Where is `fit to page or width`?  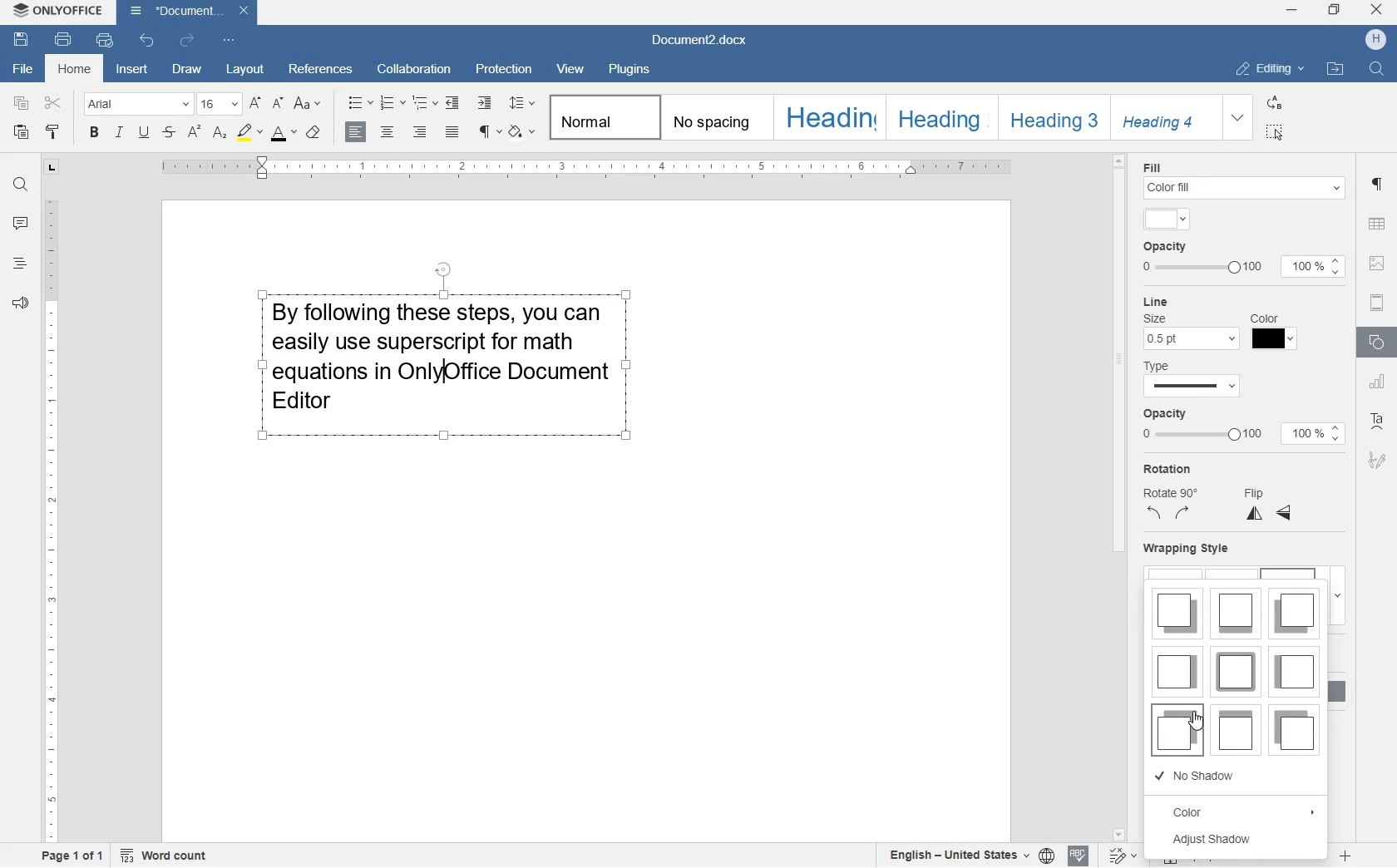
fit to page or width is located at coordinates (1187, 861).